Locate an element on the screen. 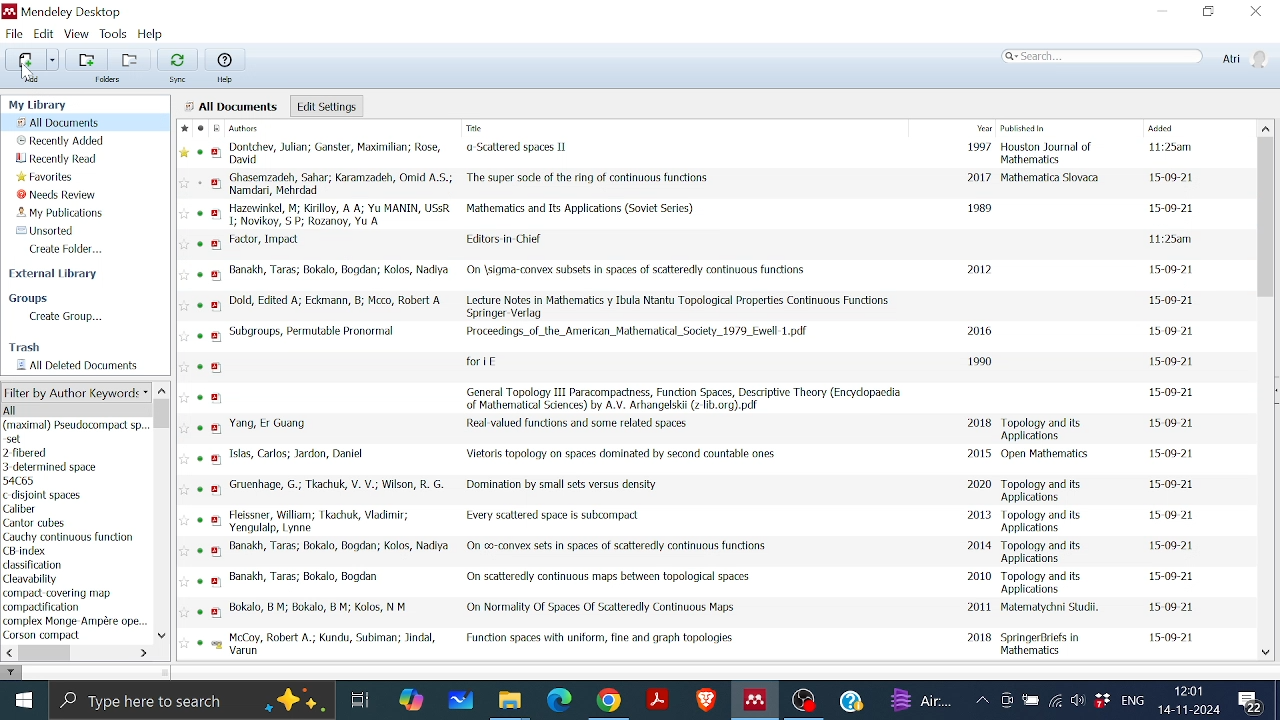 This screenshot has height=720, width=1280. date is located at coordinates (1168, 360).